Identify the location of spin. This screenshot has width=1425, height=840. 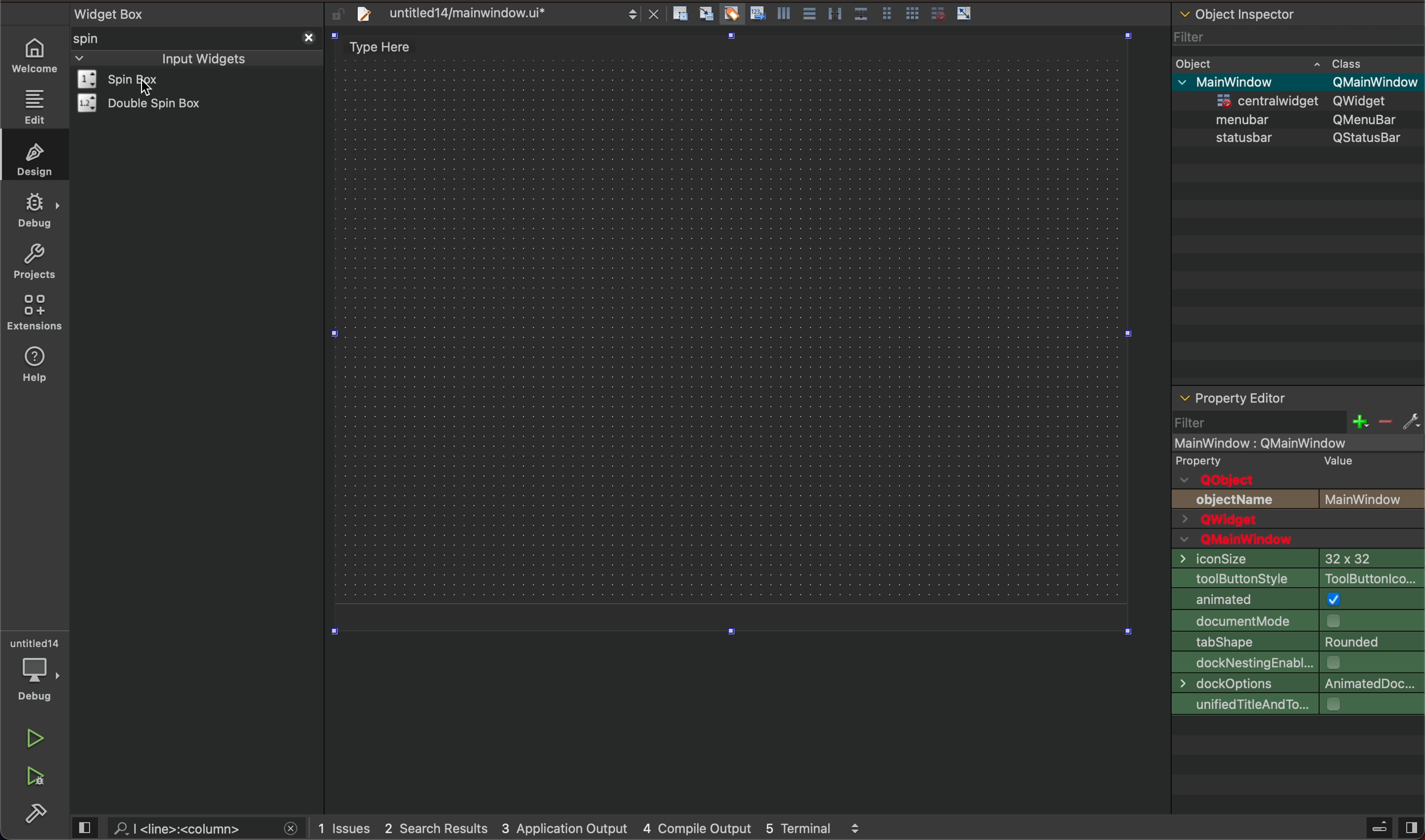
(105, 38).